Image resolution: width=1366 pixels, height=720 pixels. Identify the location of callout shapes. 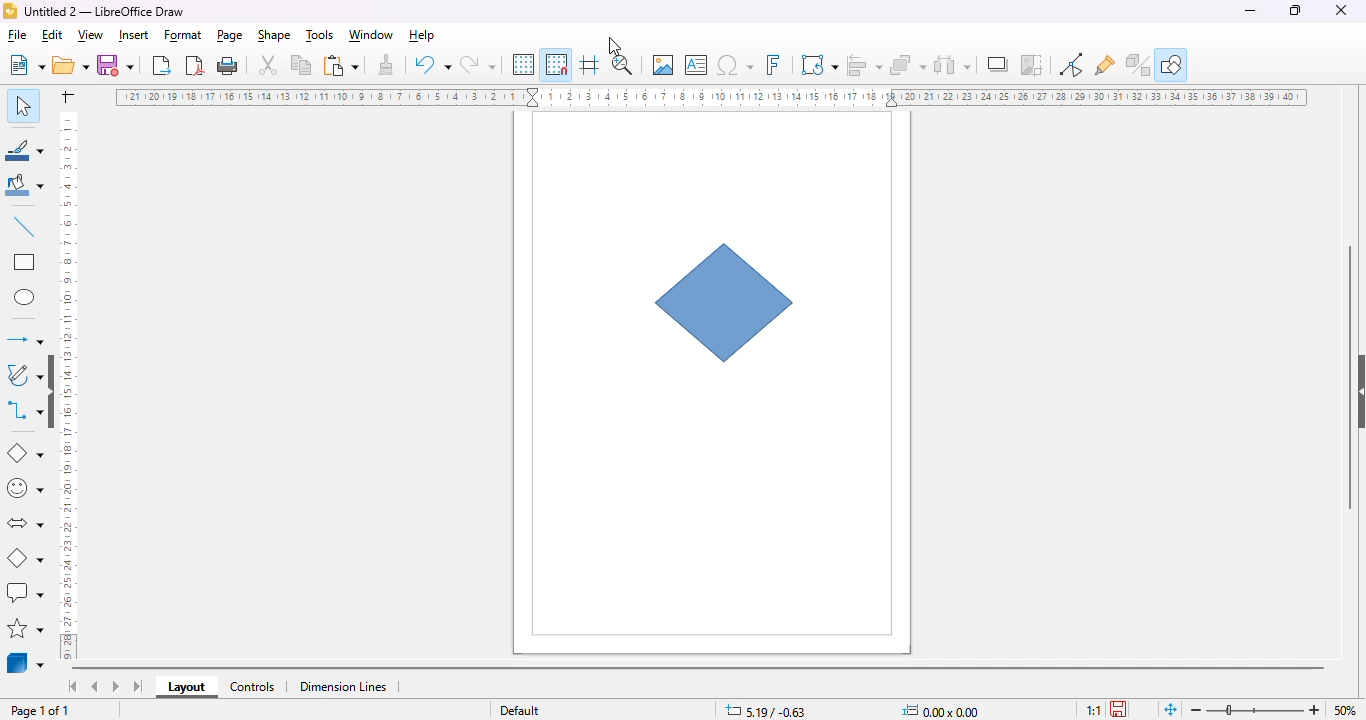
(27, 592).